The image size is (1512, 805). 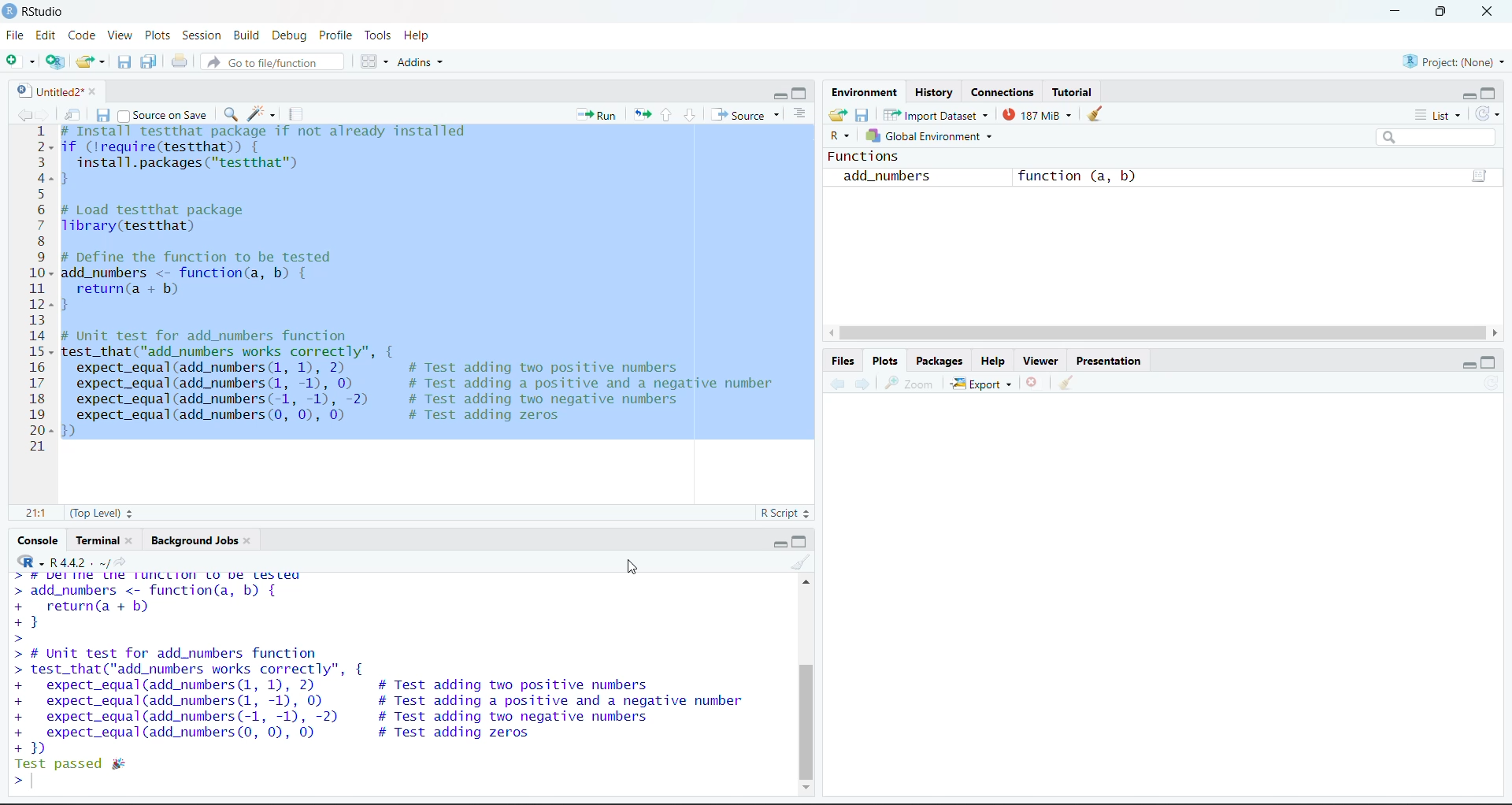 I want to click on rerun, so click(x=642, y=115).